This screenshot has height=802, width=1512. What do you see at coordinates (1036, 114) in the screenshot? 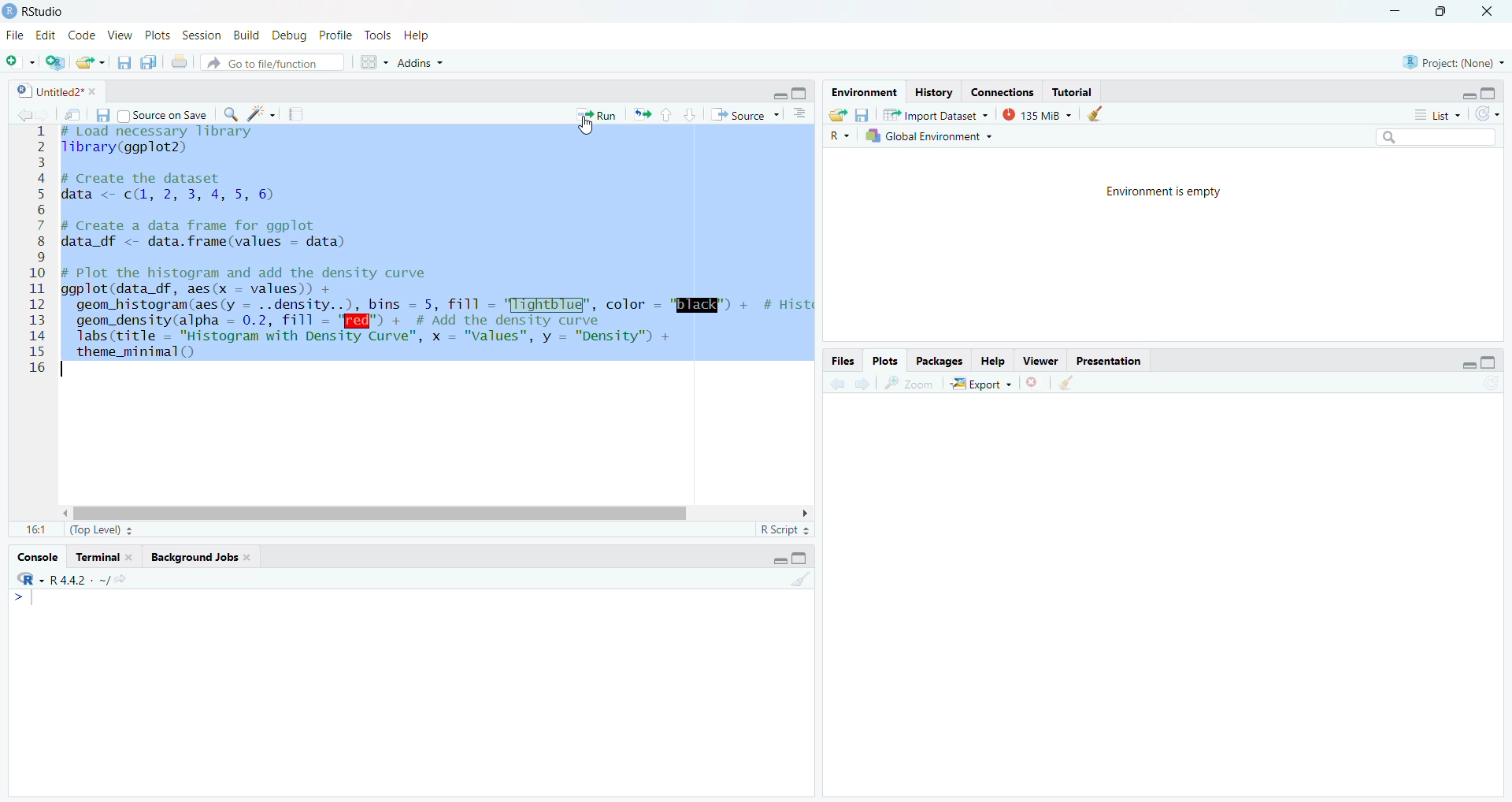
I see `157 MiB` at bounding box center [1036, 114].